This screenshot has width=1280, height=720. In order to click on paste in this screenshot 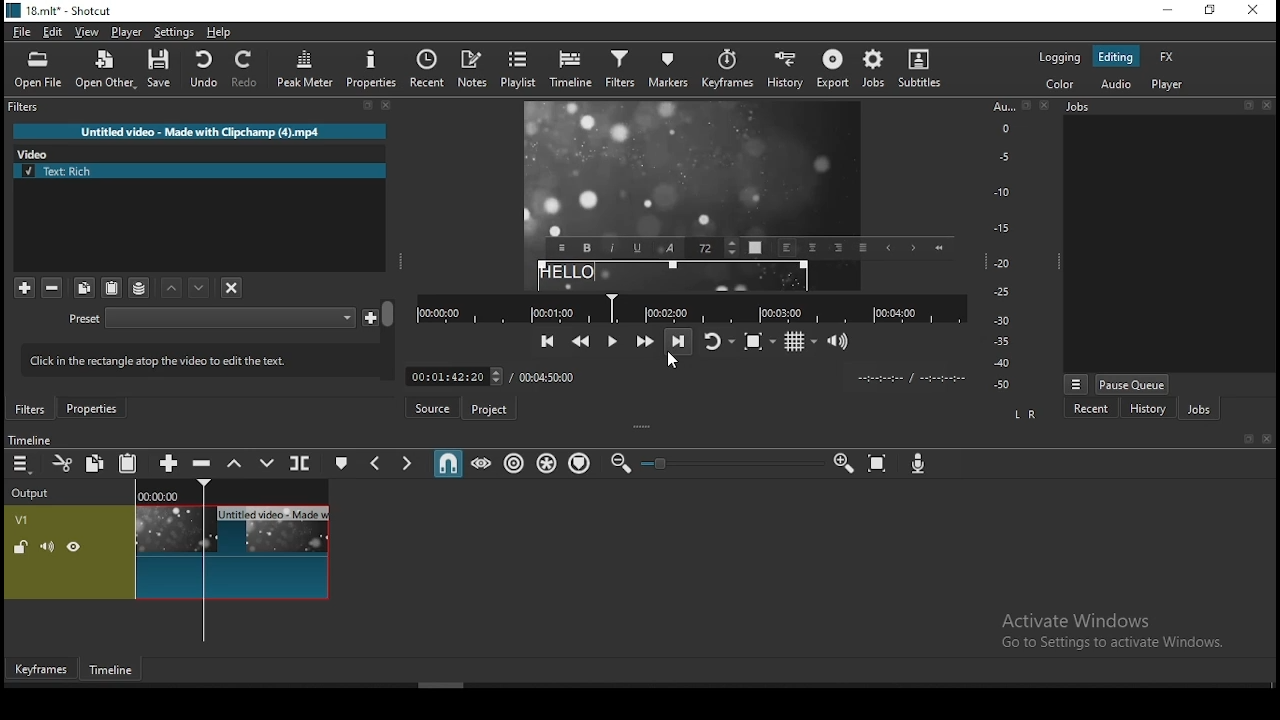, I will do `click(128, 462)`.